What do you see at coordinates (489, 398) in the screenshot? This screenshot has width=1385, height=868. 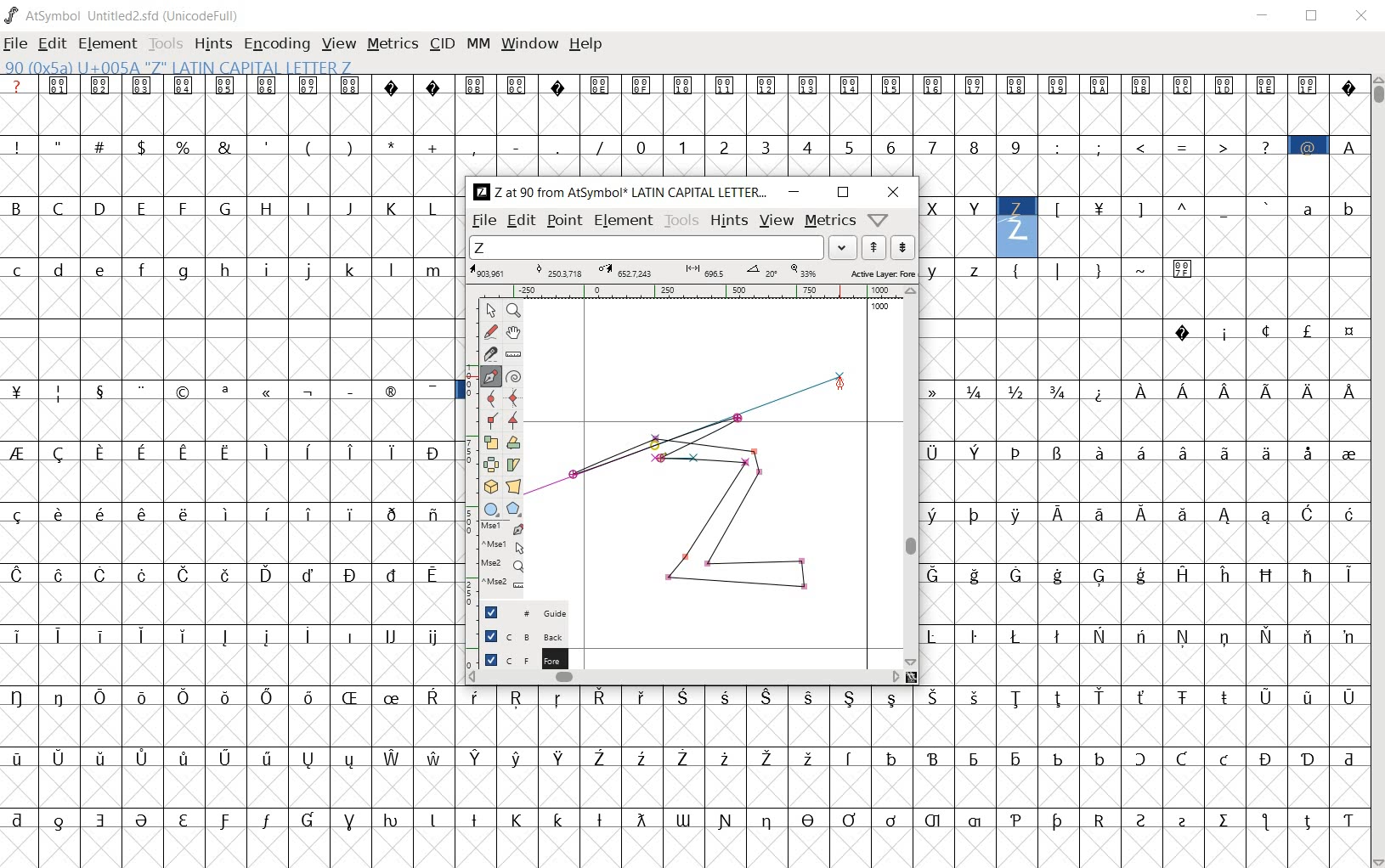 I see `add a curve point` at bounding box center [489, 398].